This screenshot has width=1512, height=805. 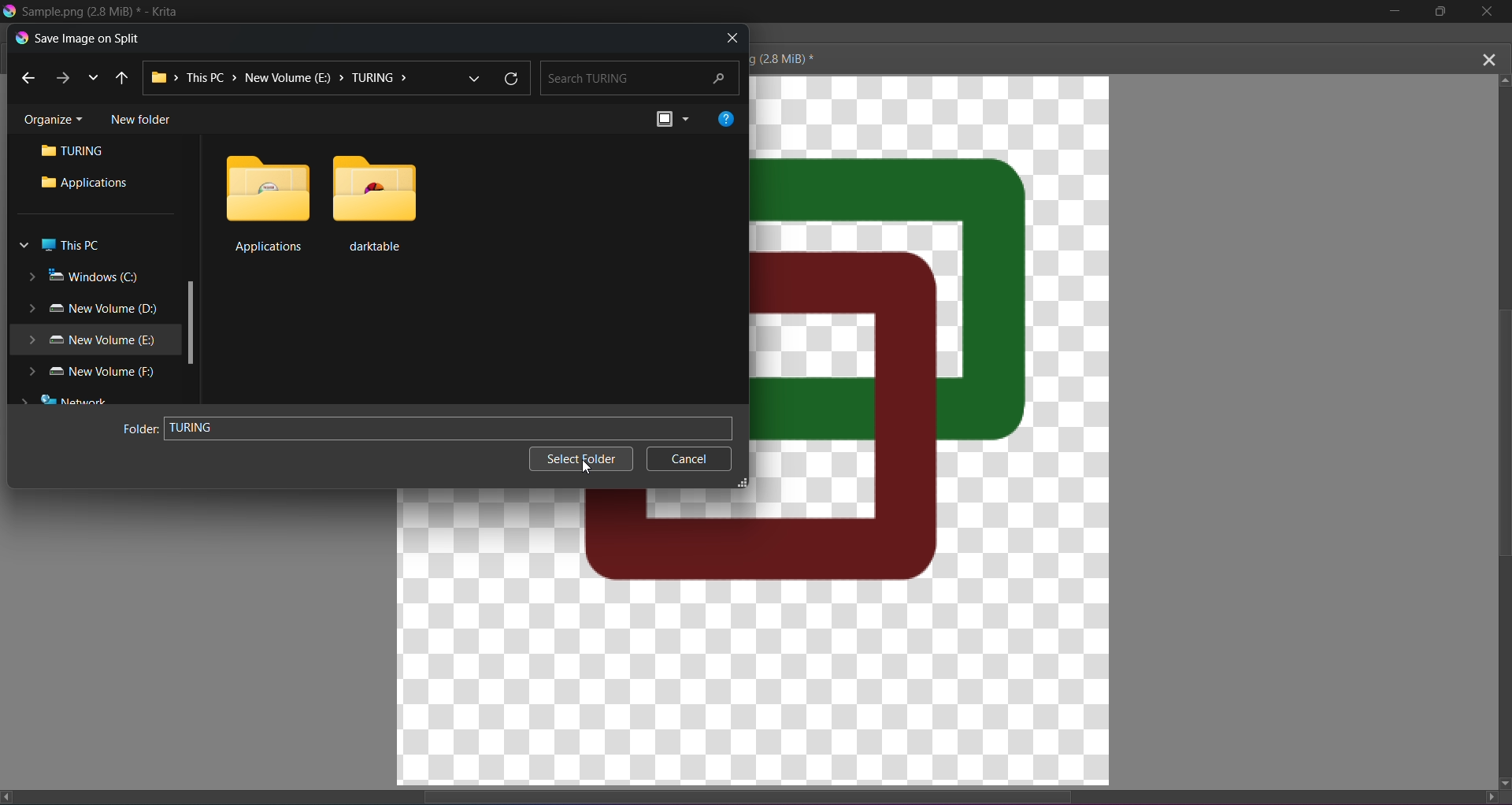 I want to click on Cursor, so click(x=591, y=471).